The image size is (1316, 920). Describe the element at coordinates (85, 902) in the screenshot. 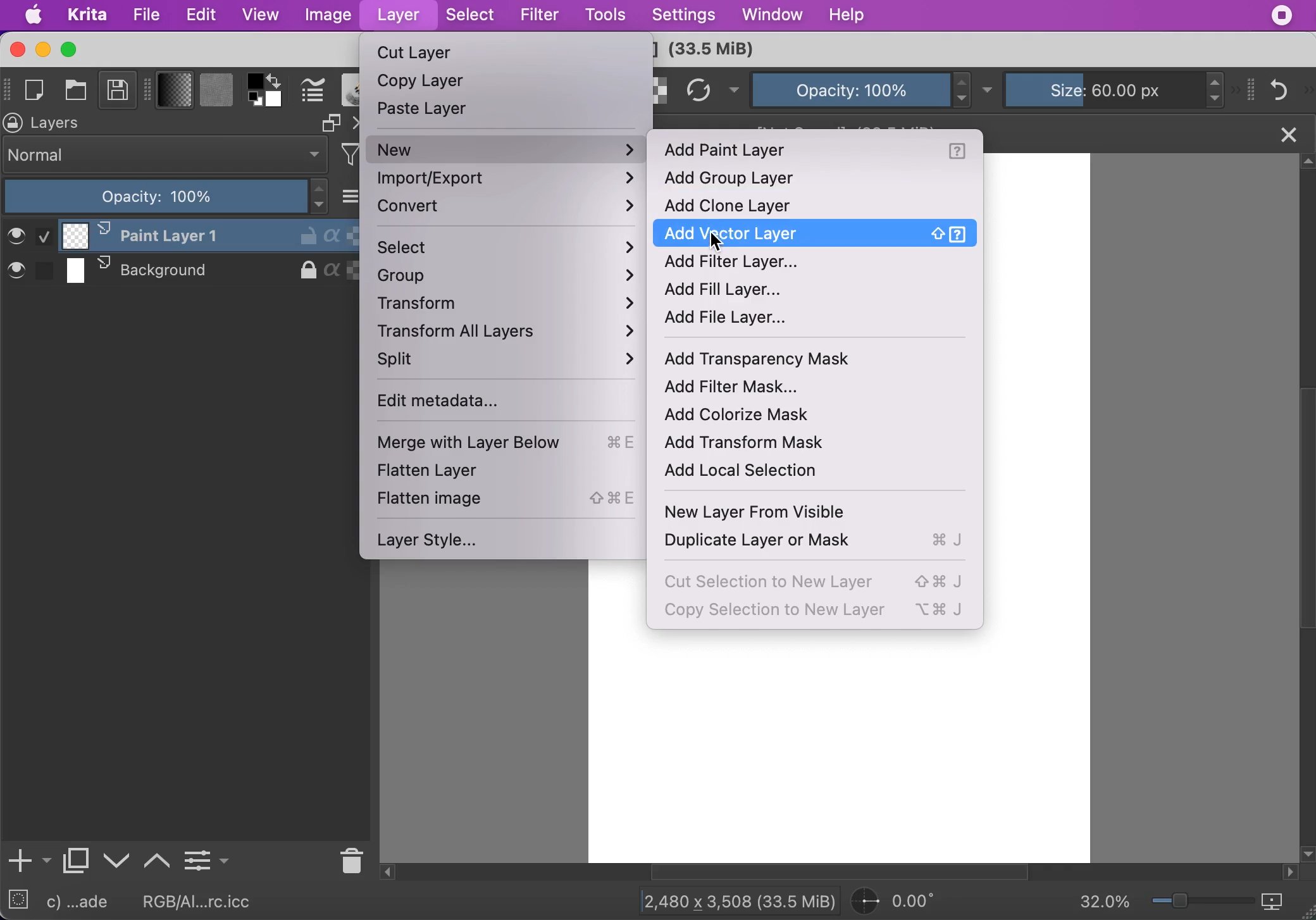

I see `pencil 6 - quick shade` at that location.